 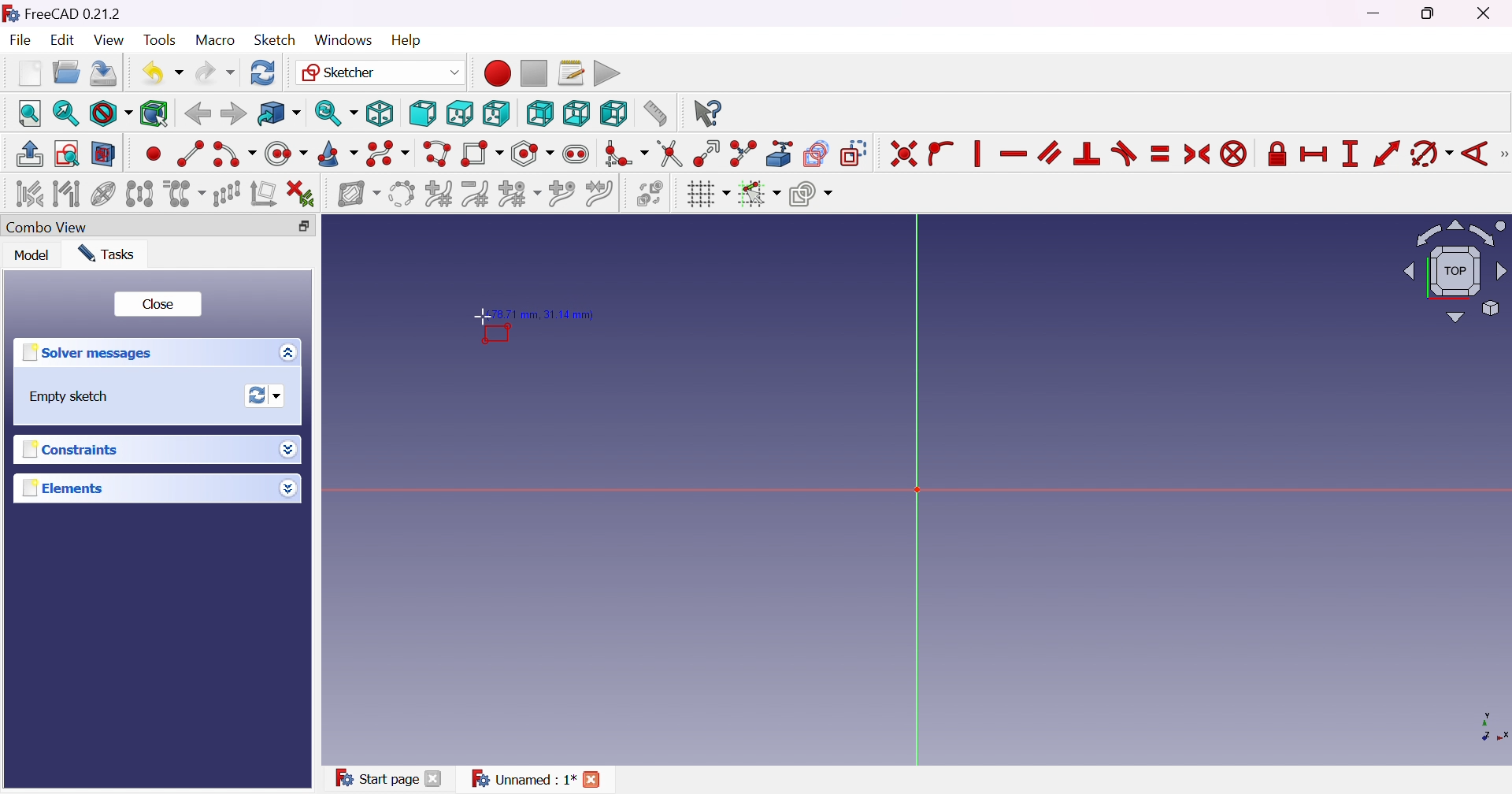 I want to click on Create external geometry, so click(x=780, y=154).